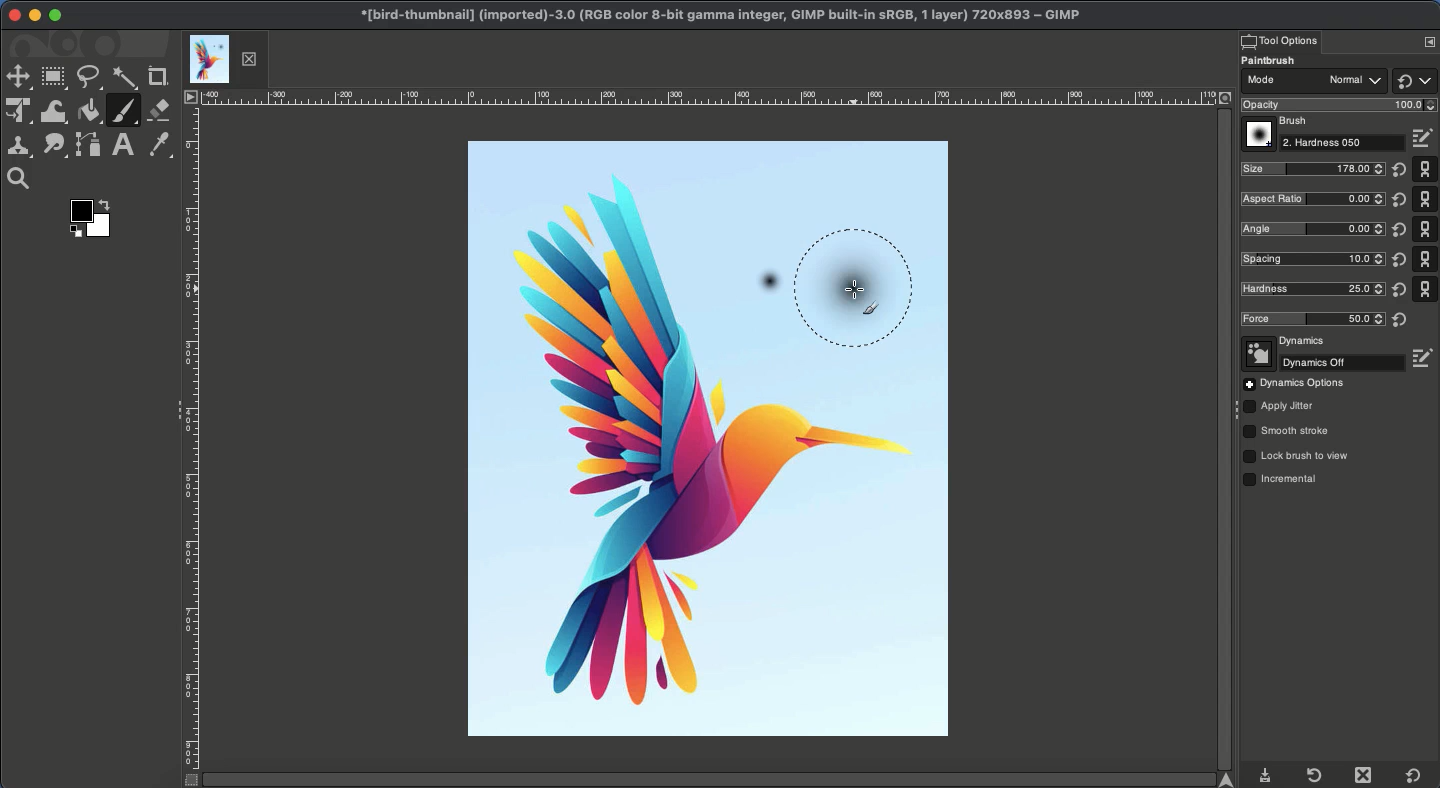 This screenshot has height=788, width=1440. I want to click on New size, so click(1314, 170).